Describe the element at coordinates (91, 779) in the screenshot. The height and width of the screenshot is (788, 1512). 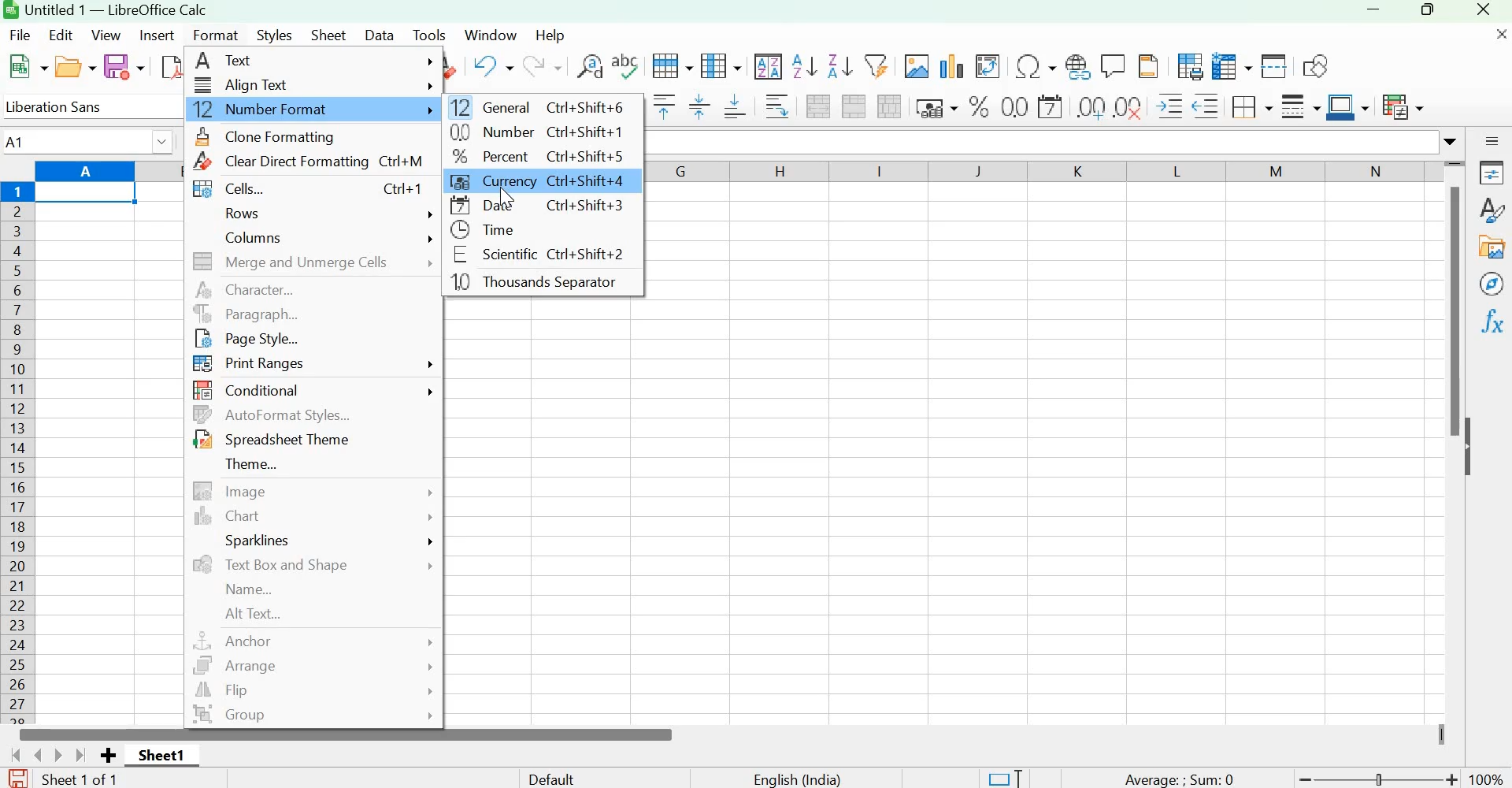
I see `Sheet 1 of 1` at that location.